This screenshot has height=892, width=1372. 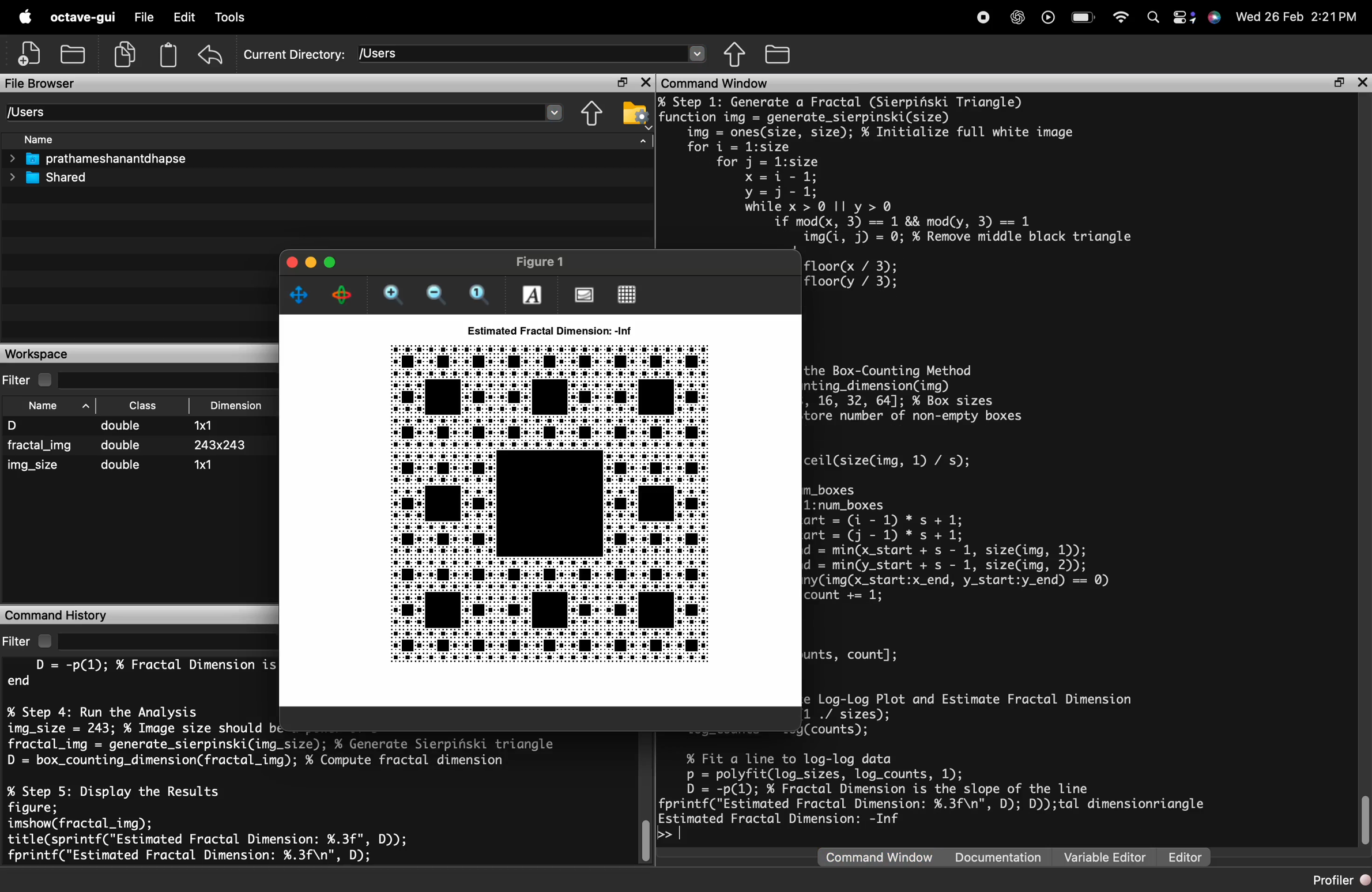 I want to click on Name, so click(x=43, y=407).